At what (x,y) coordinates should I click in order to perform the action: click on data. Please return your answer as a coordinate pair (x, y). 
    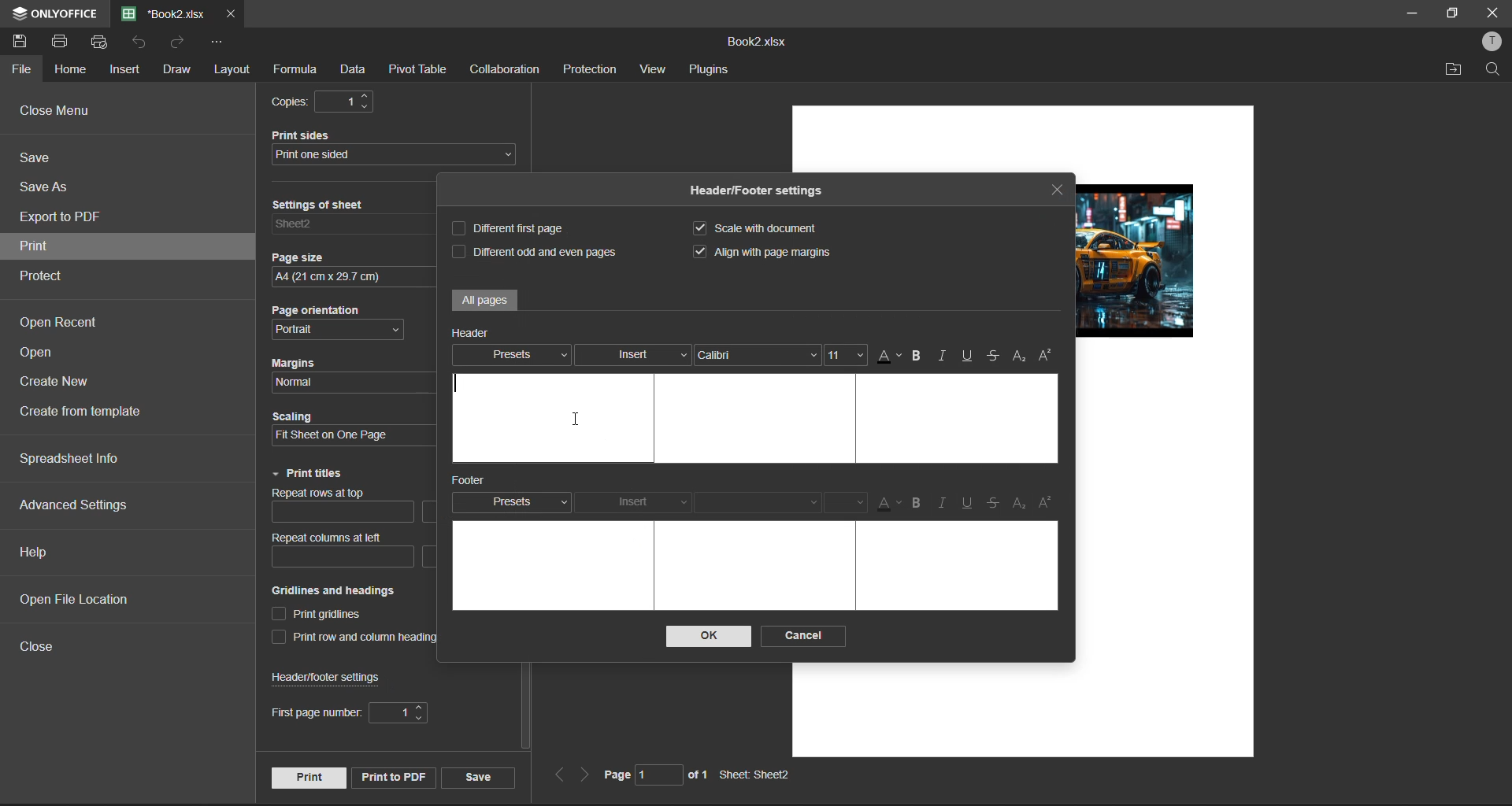
    Looking at the image, I should click on (353, 72).